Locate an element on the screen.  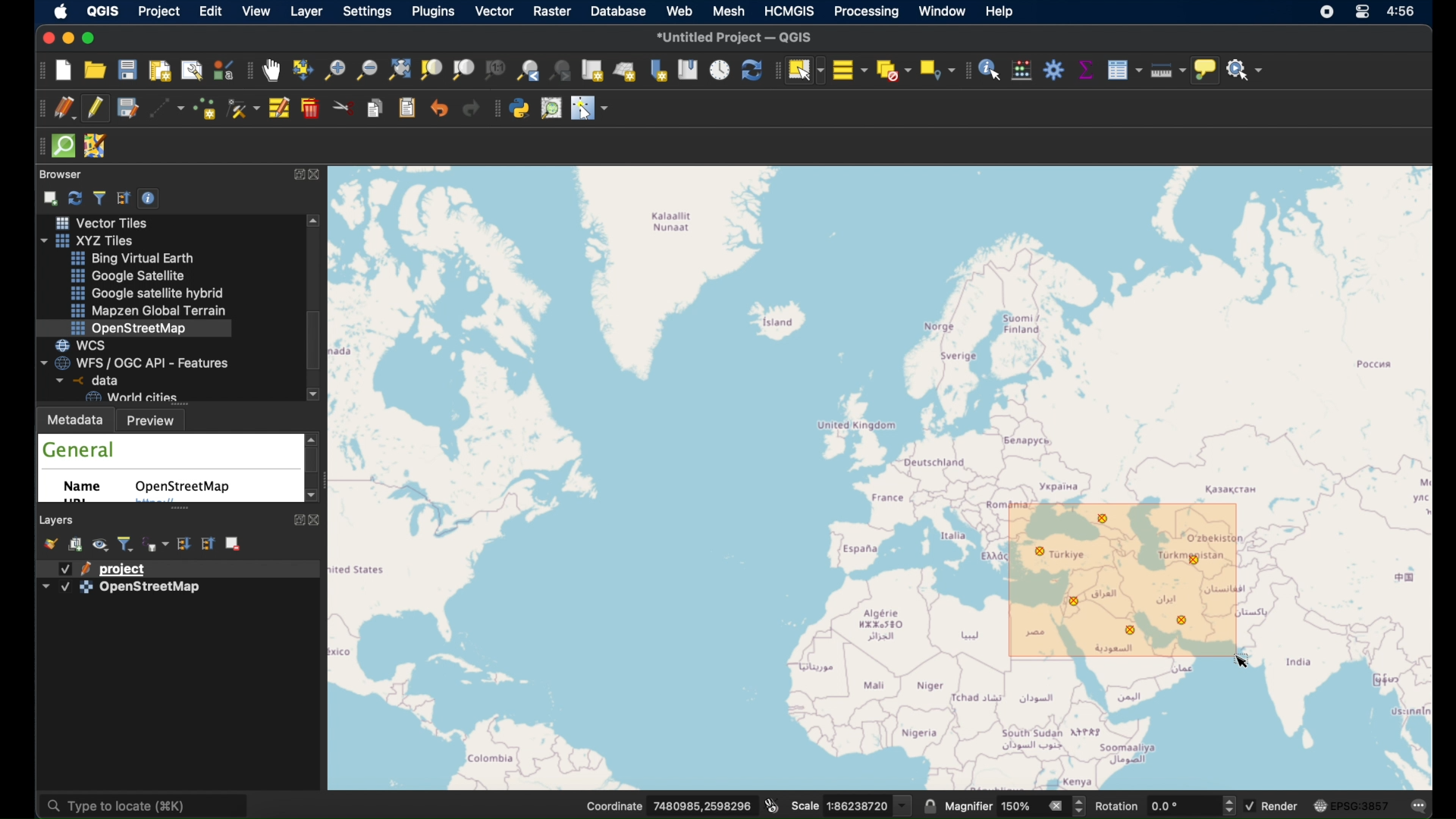
world cities is located at coordinates (130, 397).